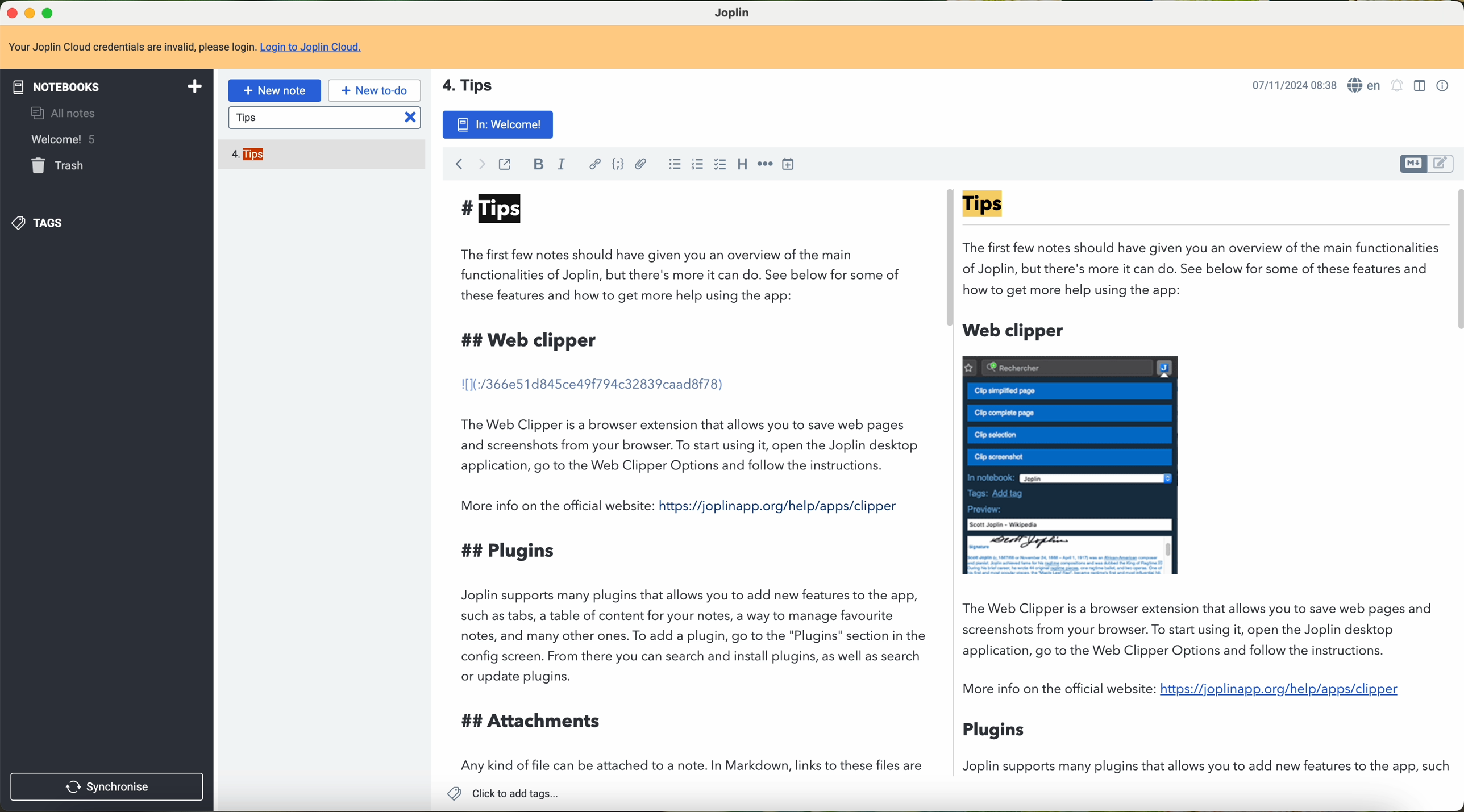 This screenshot has height=812, width=1464. Describe the element at coordinates (671, 164) in the screenshot. I see `numbered list` at that location.